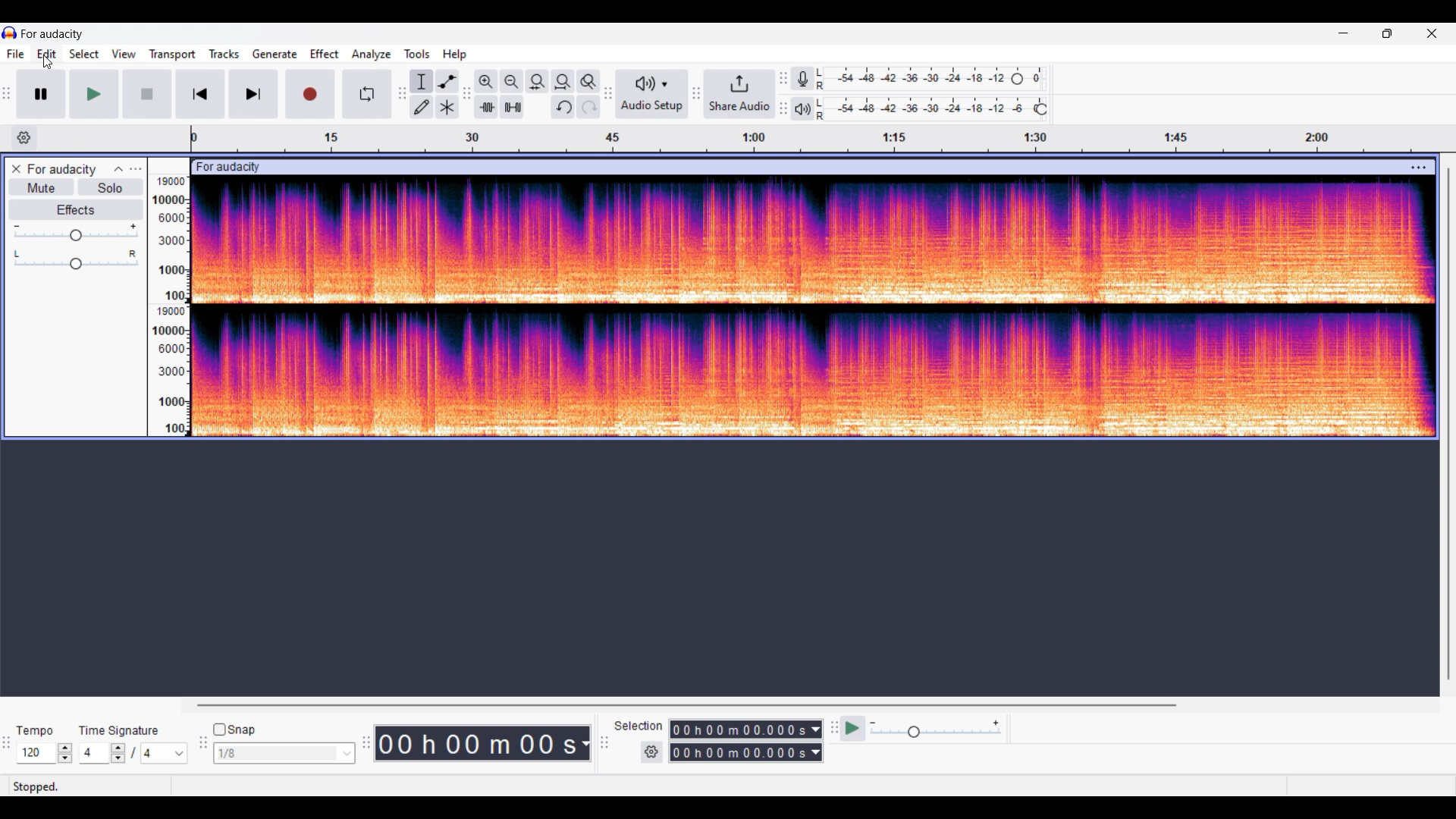 Image resolution: width=1456 pixels, height=819 pixels. What do you see at coordinates (930, 79) in the screenshot?
I see `Recording level` at bounding box center [930, 79].